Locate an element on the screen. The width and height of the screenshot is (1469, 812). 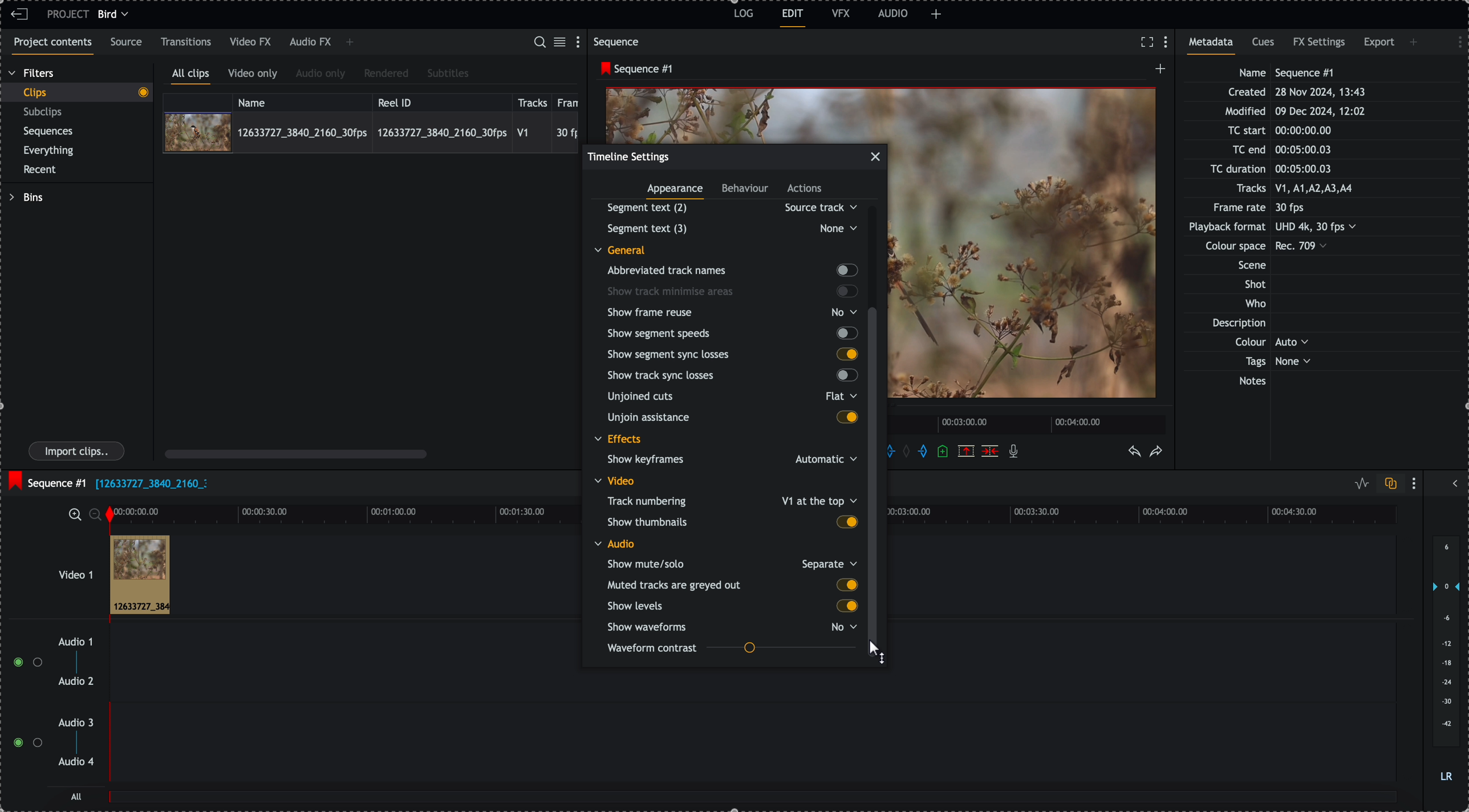
show thumbnails is located at coordinates (732, 521).